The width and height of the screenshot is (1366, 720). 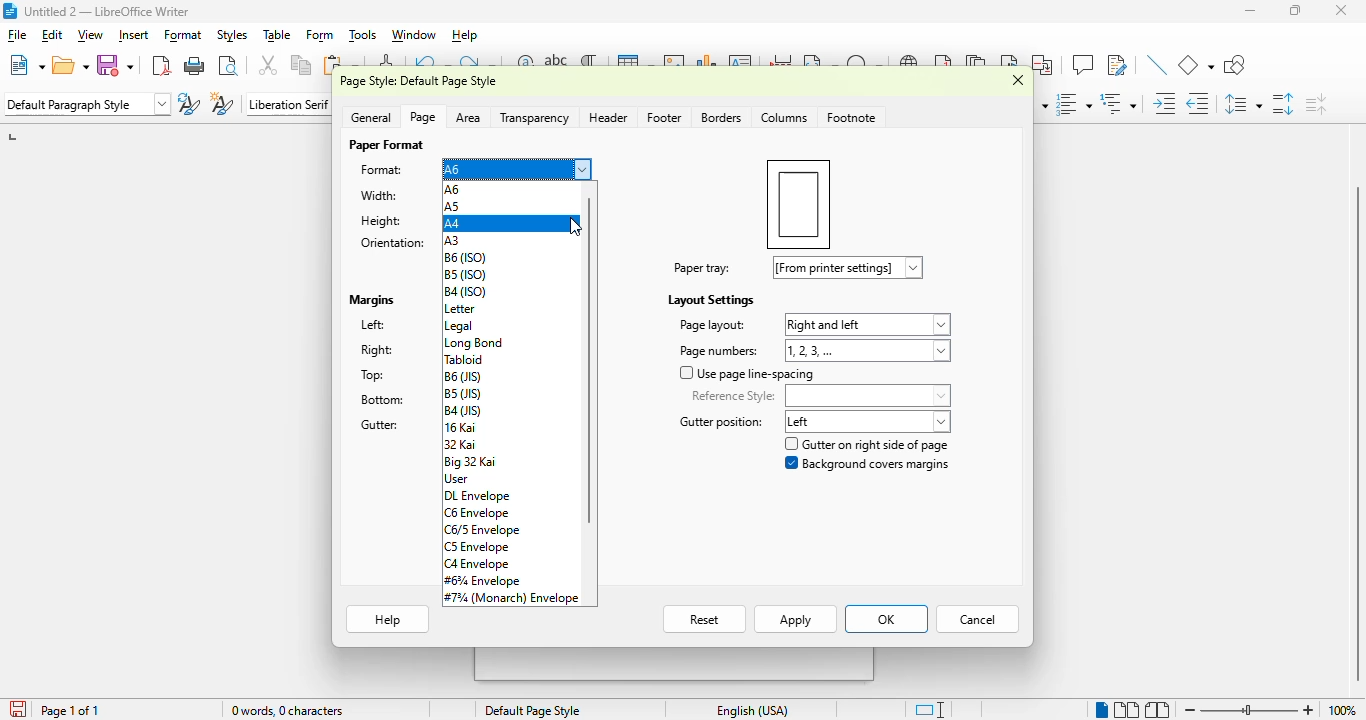 I want to click on footnote, so click(x=852, y=117).